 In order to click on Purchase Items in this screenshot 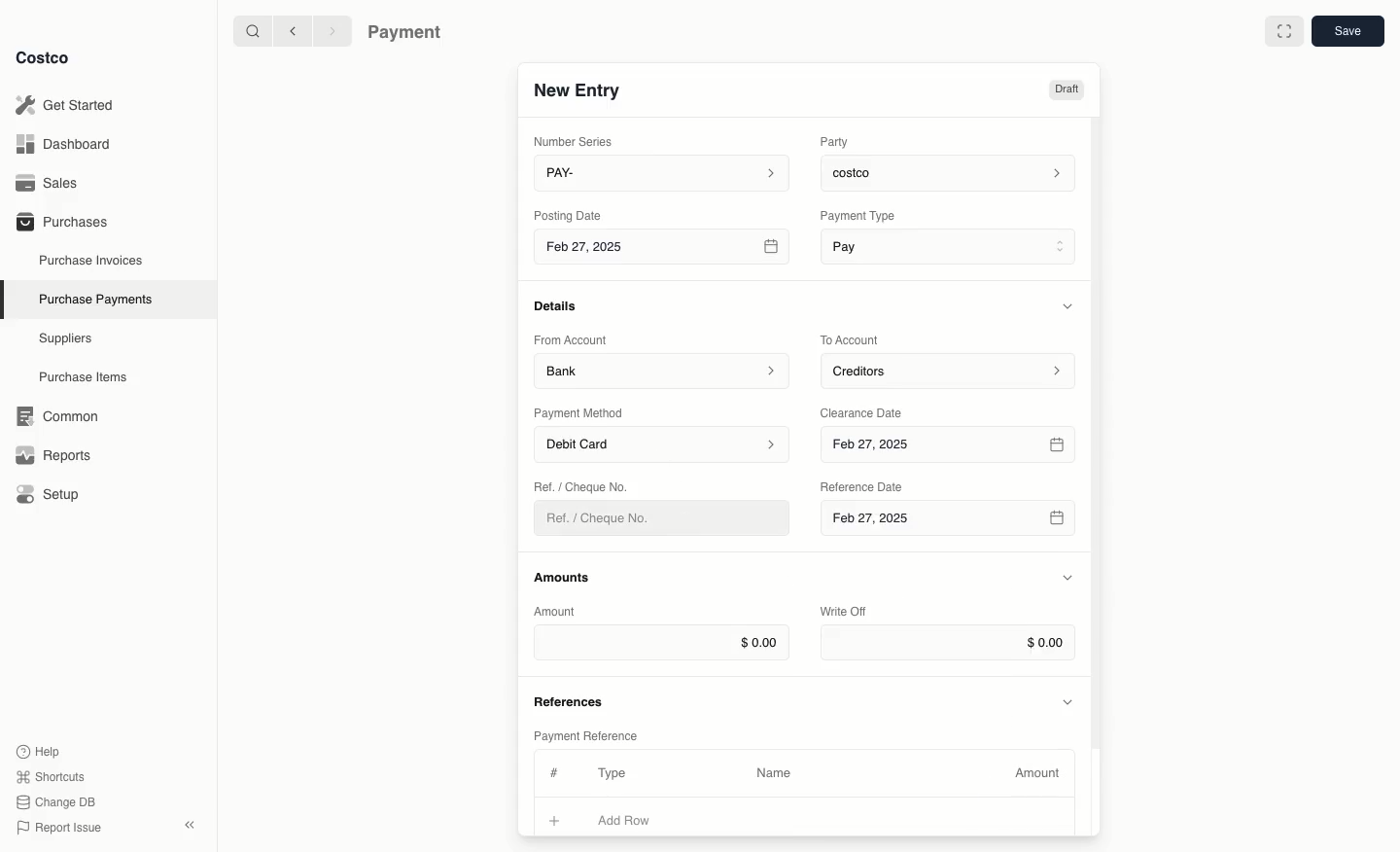, I will do `click(86, 377)`.